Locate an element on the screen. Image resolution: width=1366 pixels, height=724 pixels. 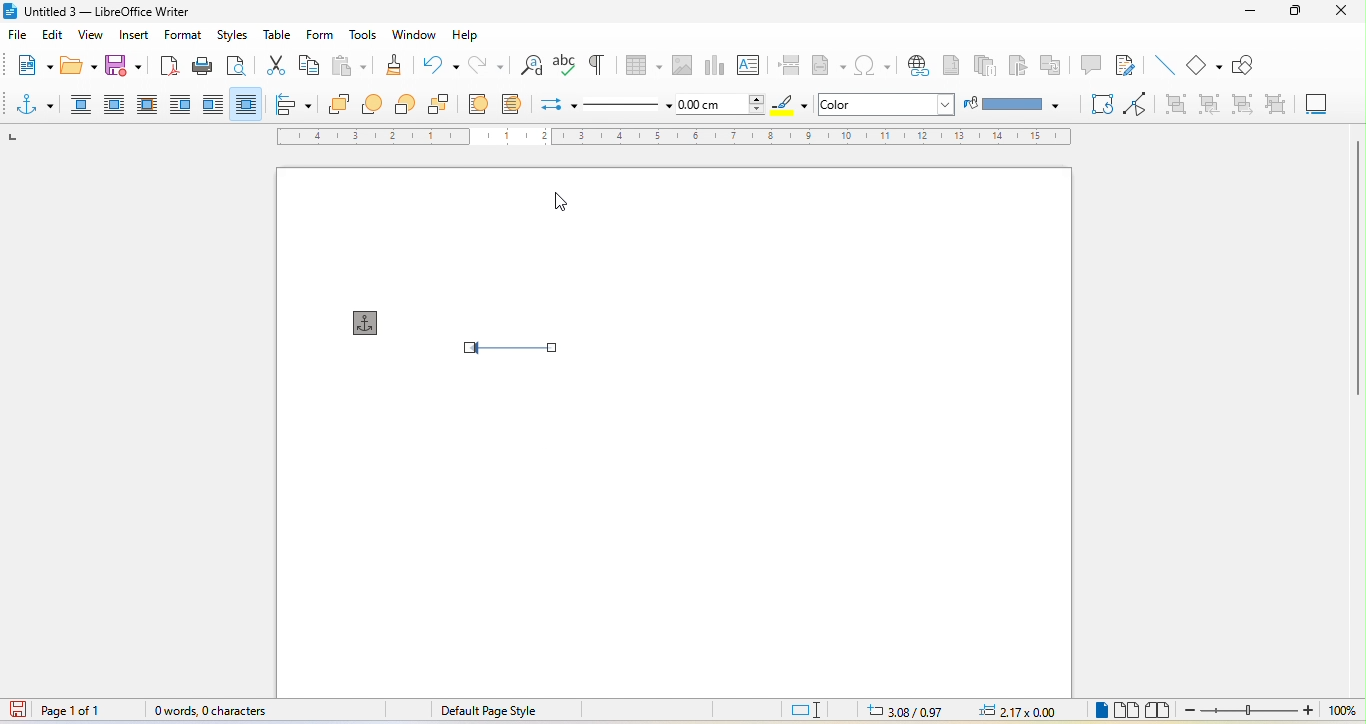
endnote is located at coordinates (985, 66).